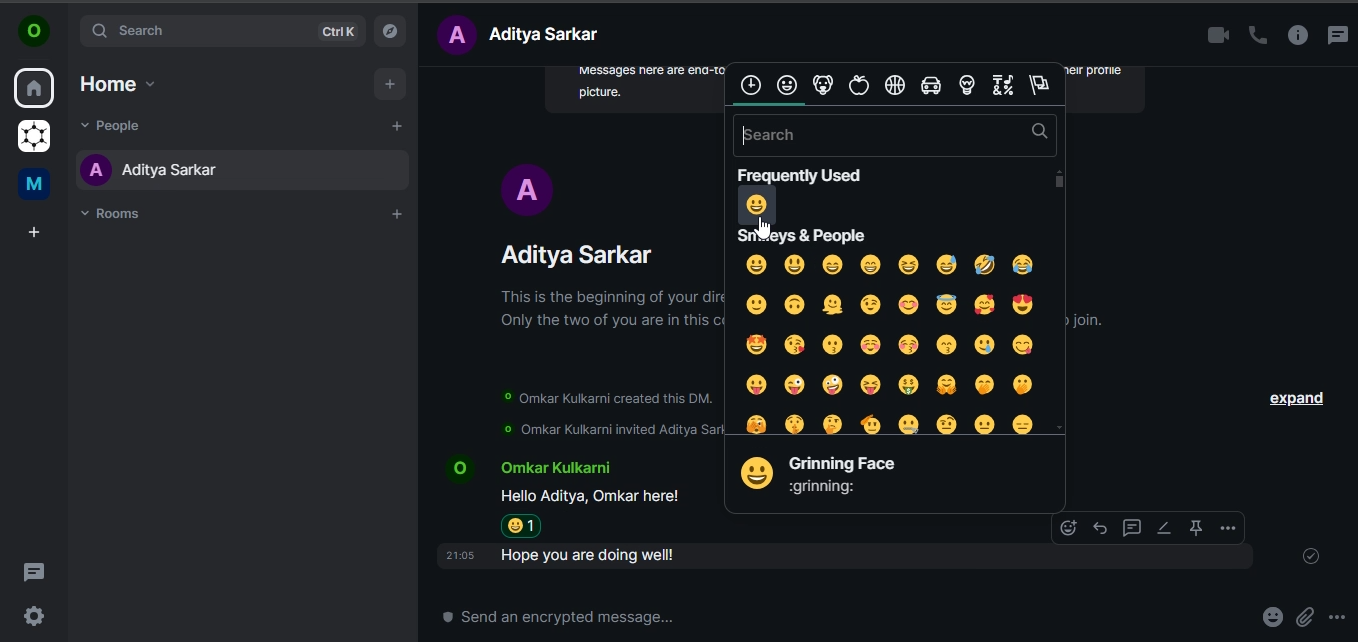 This screenshot has height=642, width=1358. Describe the element at coordinates (1163, 528) in the screenshot. I see `edit` at that location.